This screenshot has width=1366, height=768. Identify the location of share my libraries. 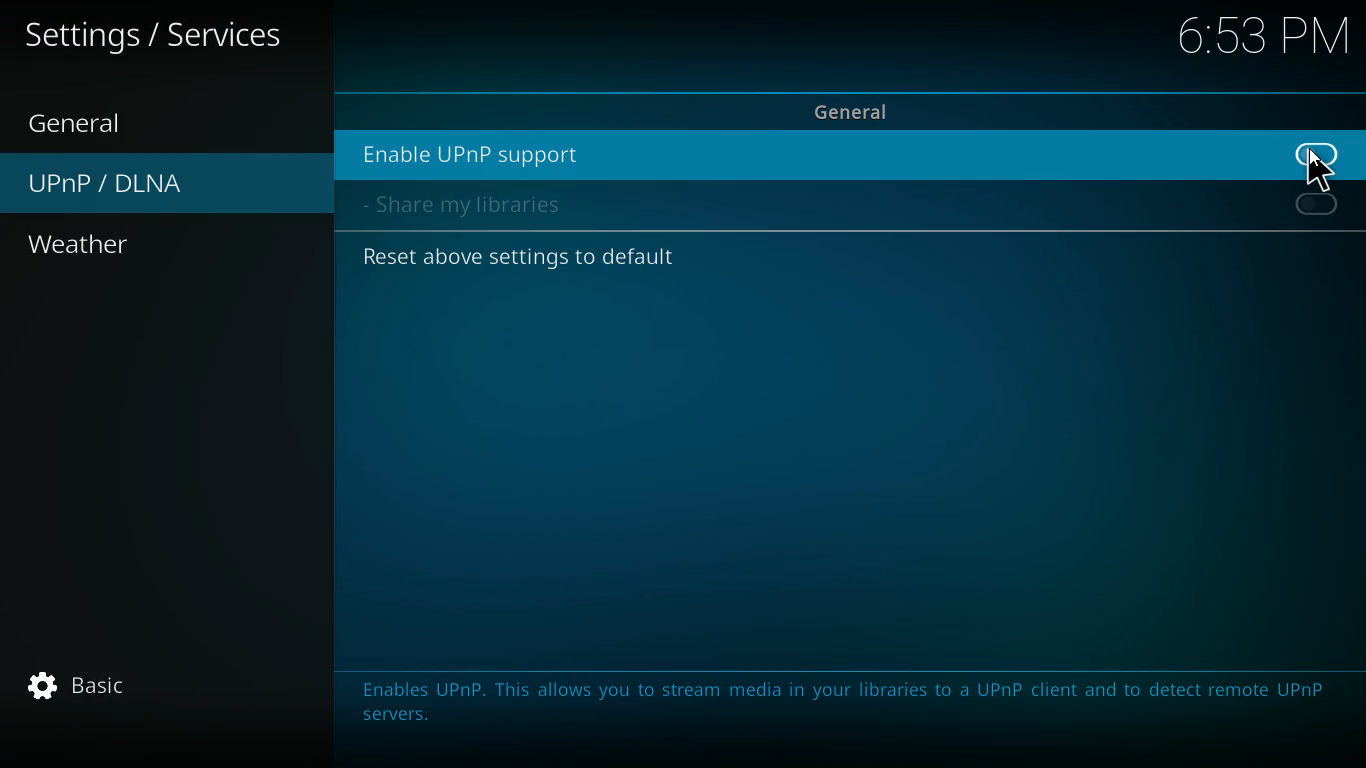
(485, 206).